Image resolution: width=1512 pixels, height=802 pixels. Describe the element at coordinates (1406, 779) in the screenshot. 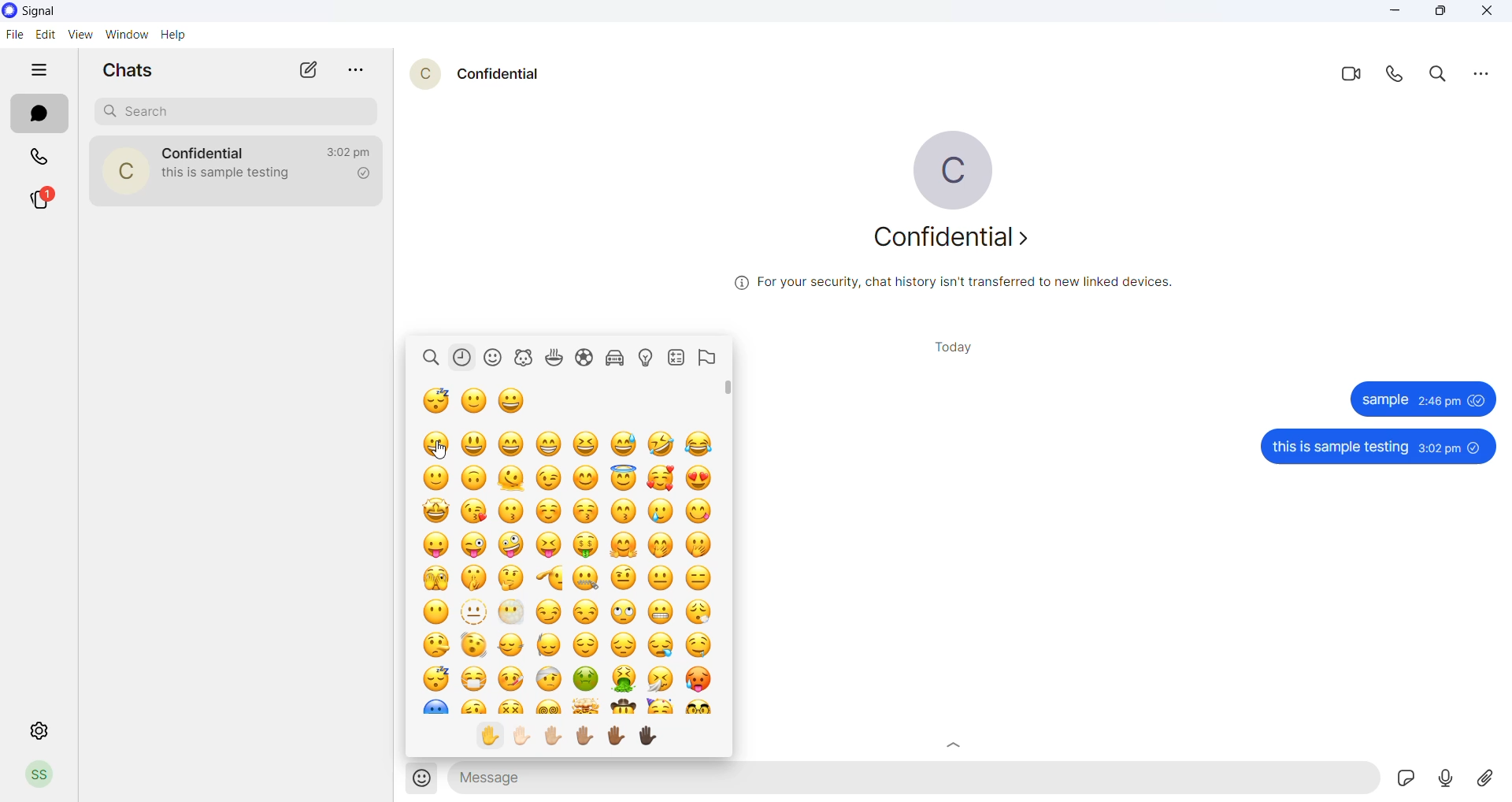

I see `sticker` at that location.